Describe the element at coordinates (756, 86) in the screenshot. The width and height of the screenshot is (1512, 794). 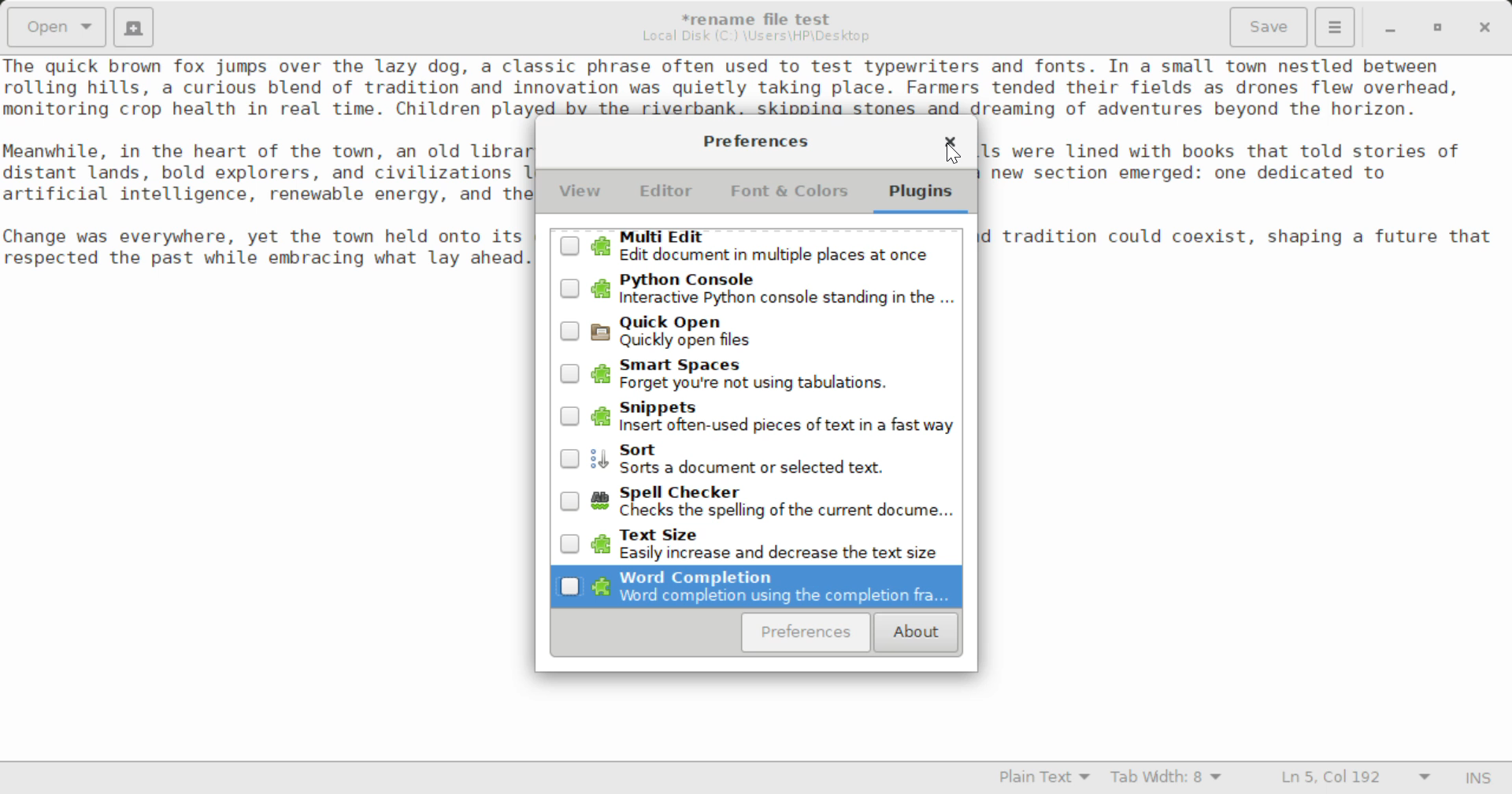
I see `Sample text about a charming town` at that location.